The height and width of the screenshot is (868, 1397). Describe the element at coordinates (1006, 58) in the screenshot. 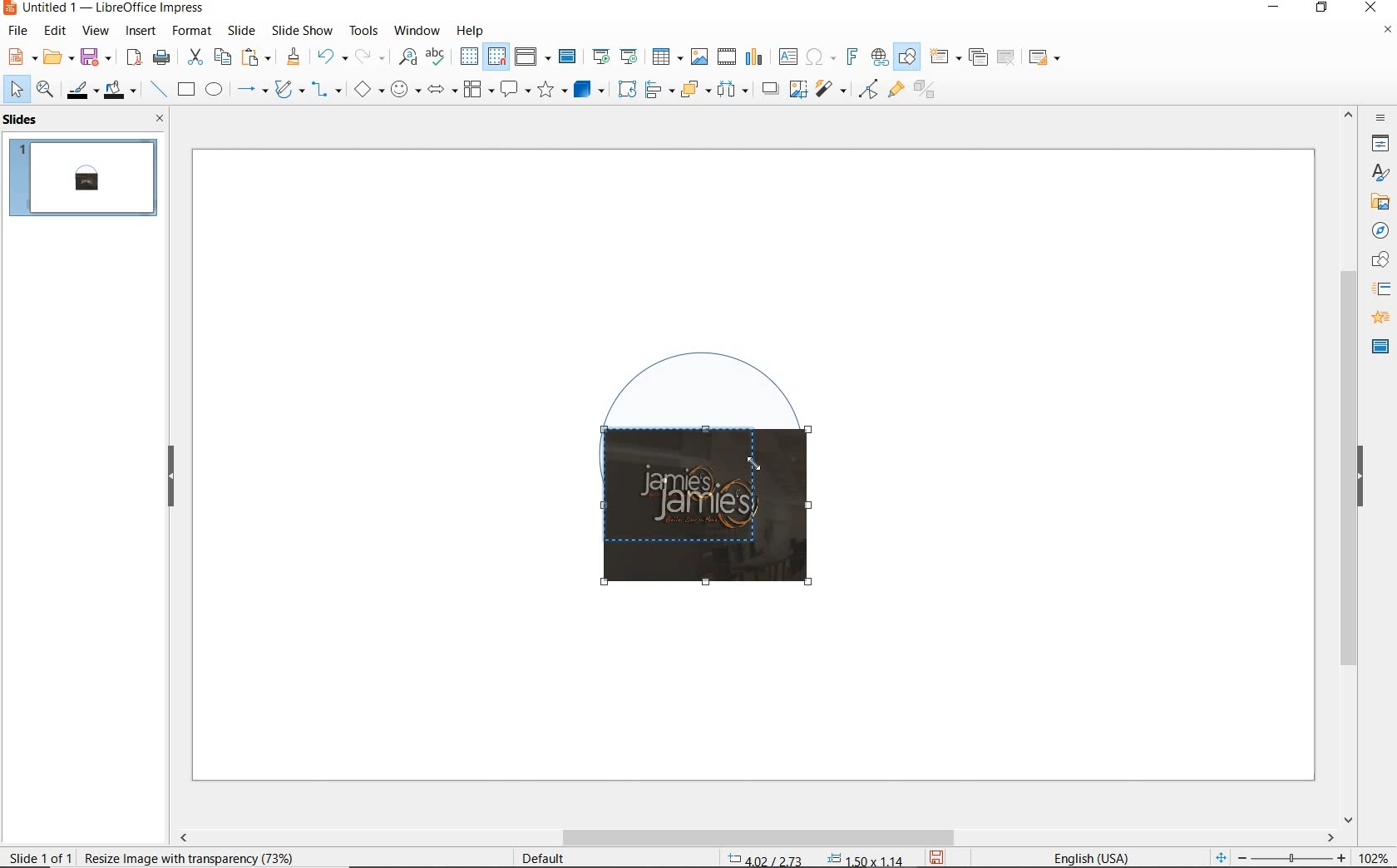

I see `delete slide` at that location.